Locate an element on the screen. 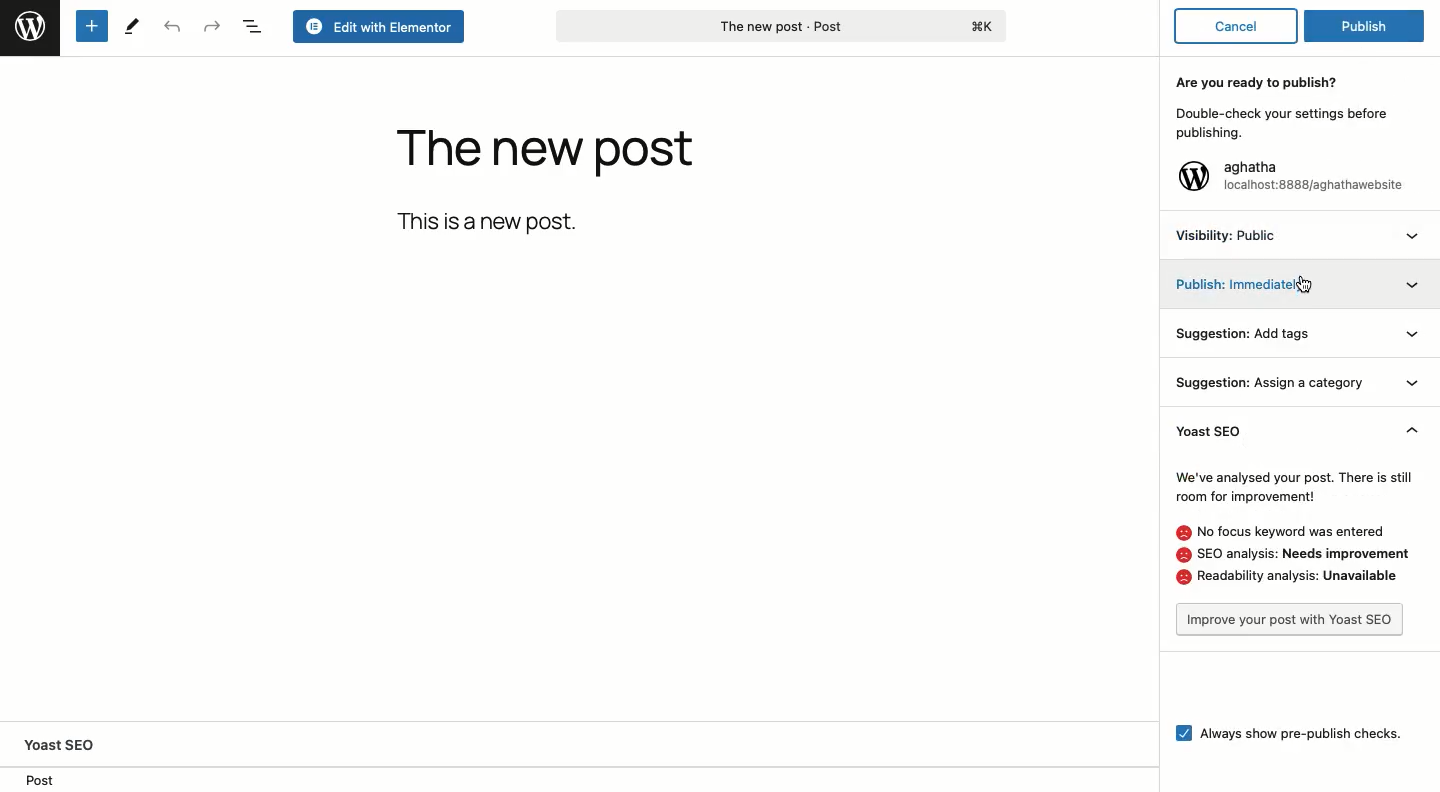  Publish is located at coordinates (1370, 23).